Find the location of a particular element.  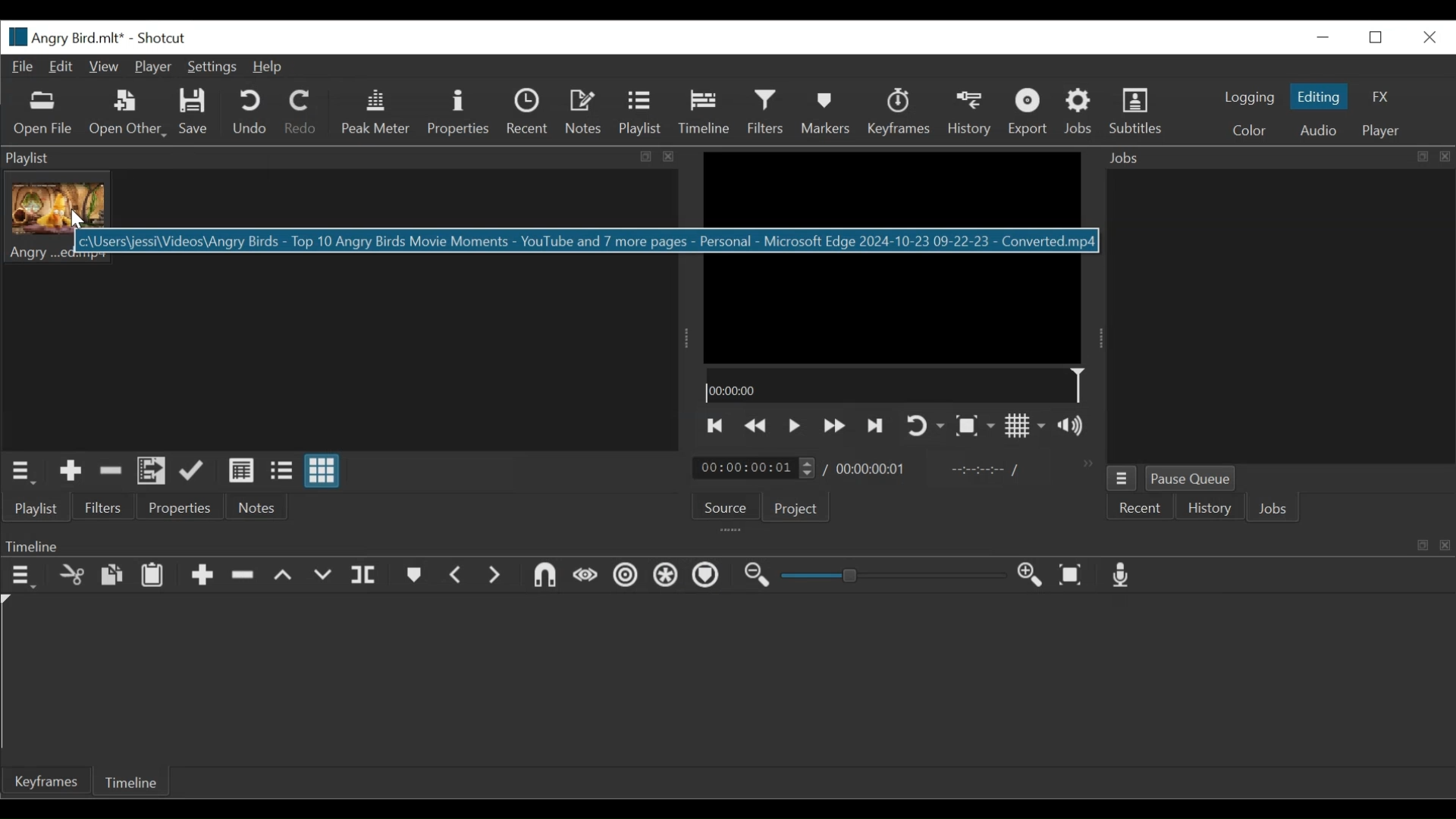

Properties is located at coordinates (462, 113).